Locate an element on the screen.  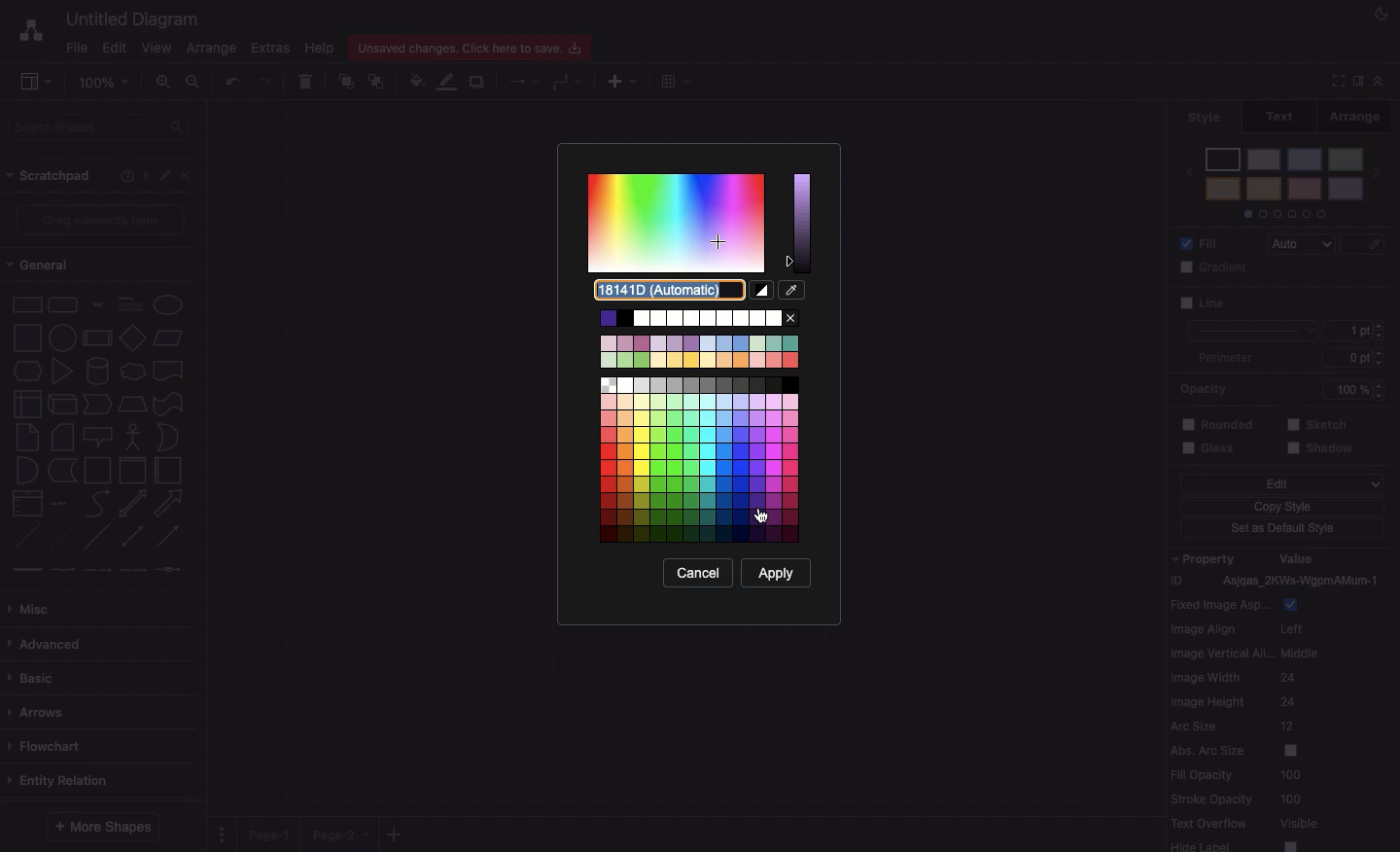
data storage is located at coordinates (61, 470).